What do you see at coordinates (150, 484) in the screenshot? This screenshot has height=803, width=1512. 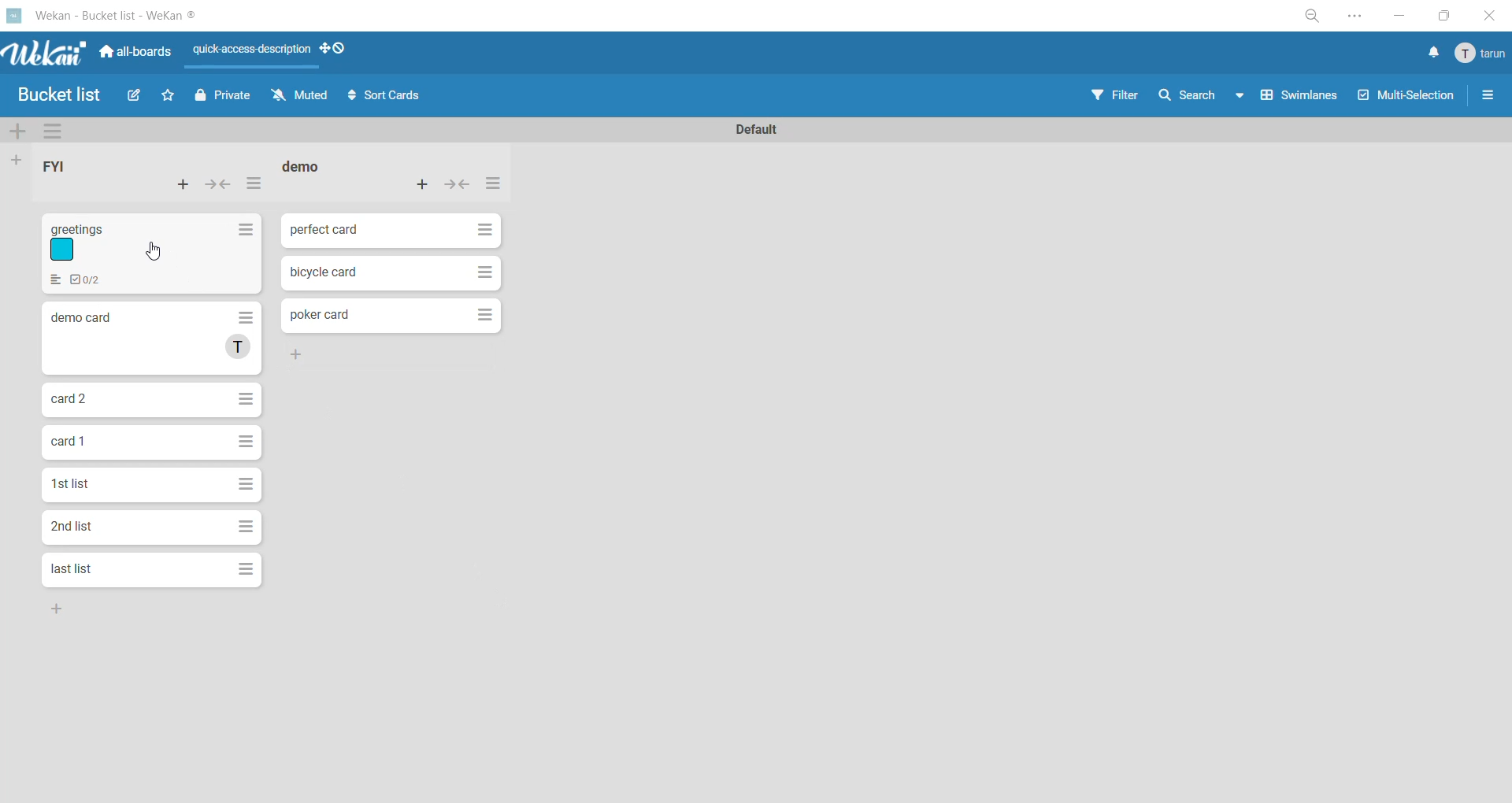 I see `1st list` at bounding box center [150, 484].